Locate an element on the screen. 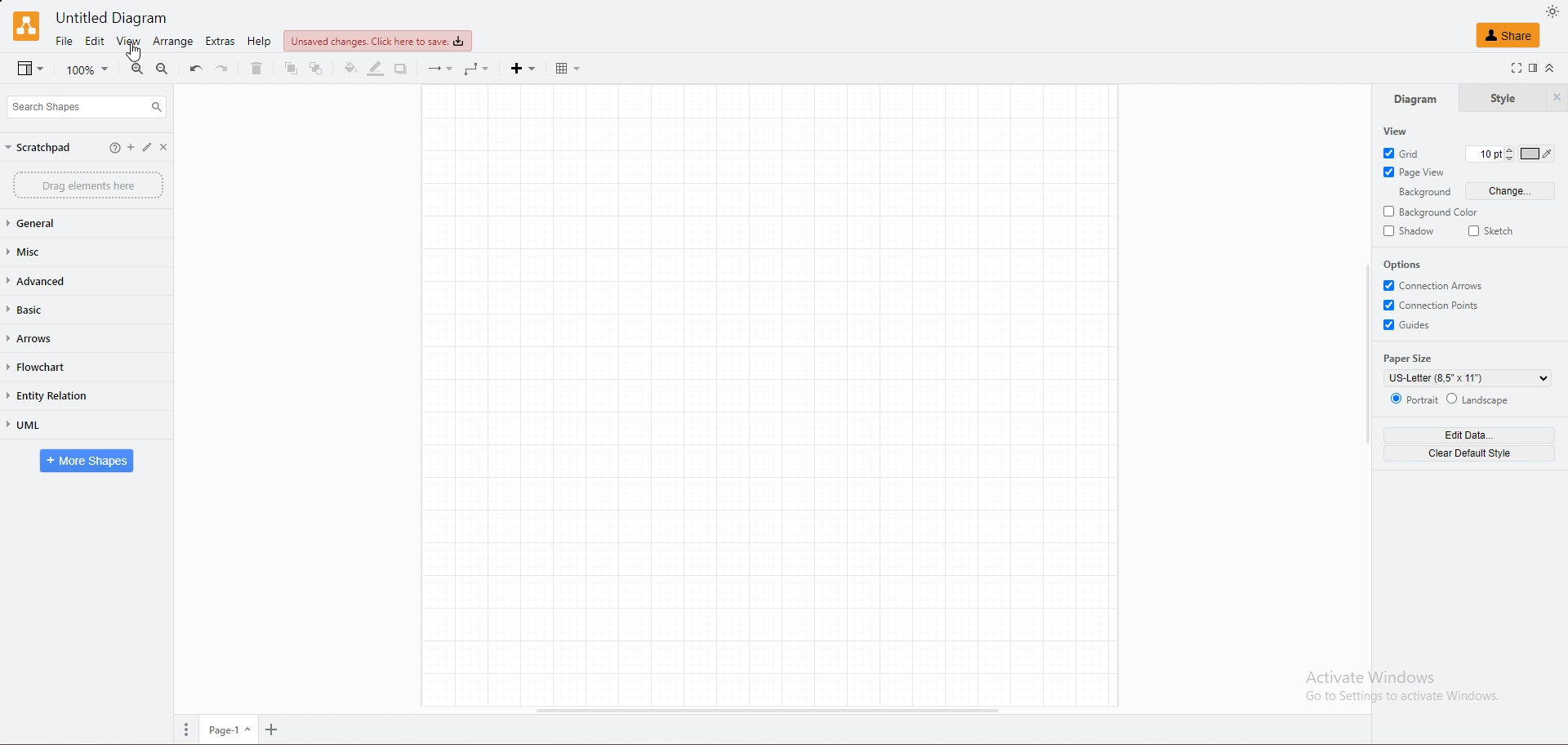 Image resolution: width=1568 pixels, height=745 pixels. page view is located at coordinates (1416, 172).